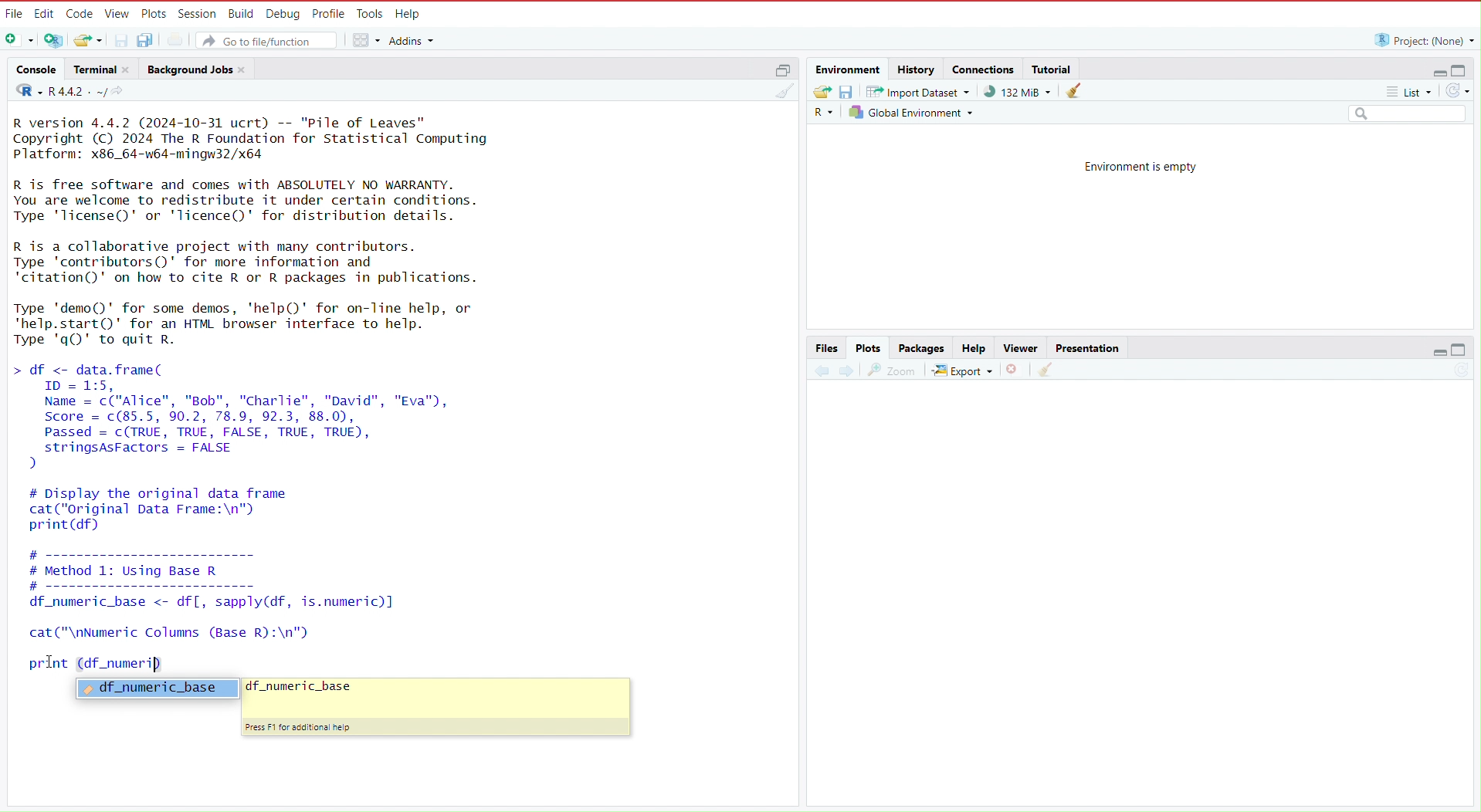  What do you see at coordinates (1046, 371) in the screenshot?
I see `clear all plots` at bounding box center [1046, 371].